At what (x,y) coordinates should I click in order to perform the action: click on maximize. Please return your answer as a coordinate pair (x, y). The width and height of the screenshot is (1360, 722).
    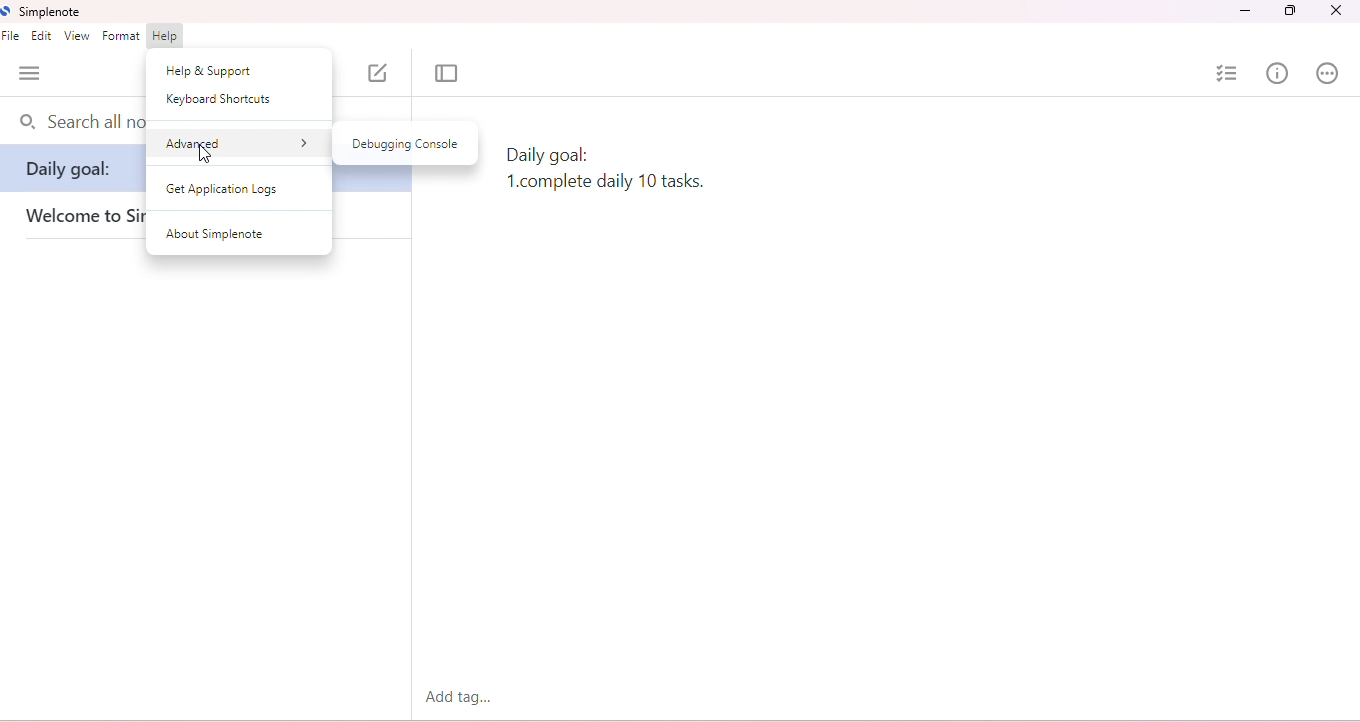
    Looking at the image, I should click on (1291, 13).